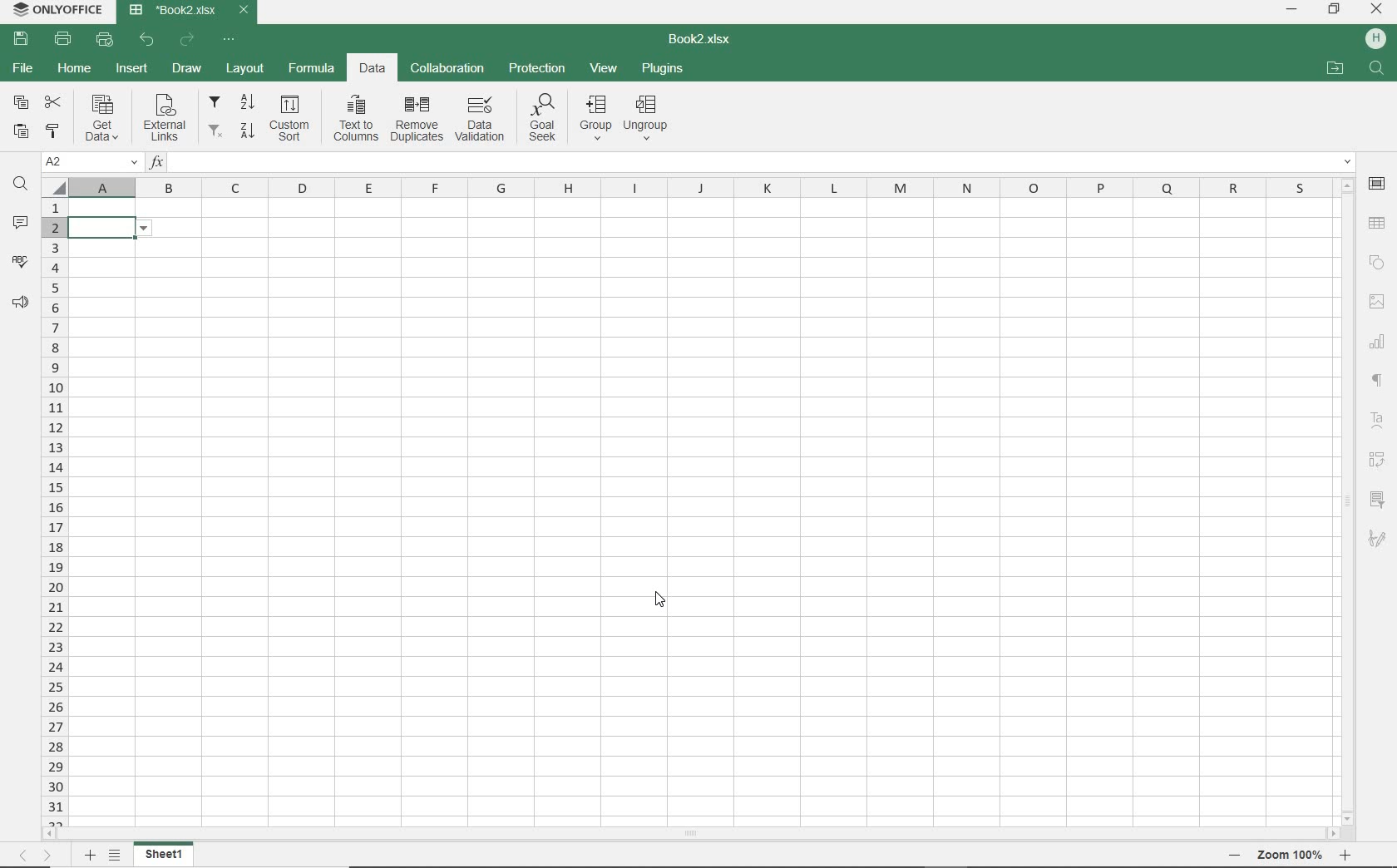 Image resolution: width=1397 pixels, height=868 pixels. What do you see at coordinates (1378, 223) in the screenshot?
I see `TABLE` at bounding box center [1378, 223].